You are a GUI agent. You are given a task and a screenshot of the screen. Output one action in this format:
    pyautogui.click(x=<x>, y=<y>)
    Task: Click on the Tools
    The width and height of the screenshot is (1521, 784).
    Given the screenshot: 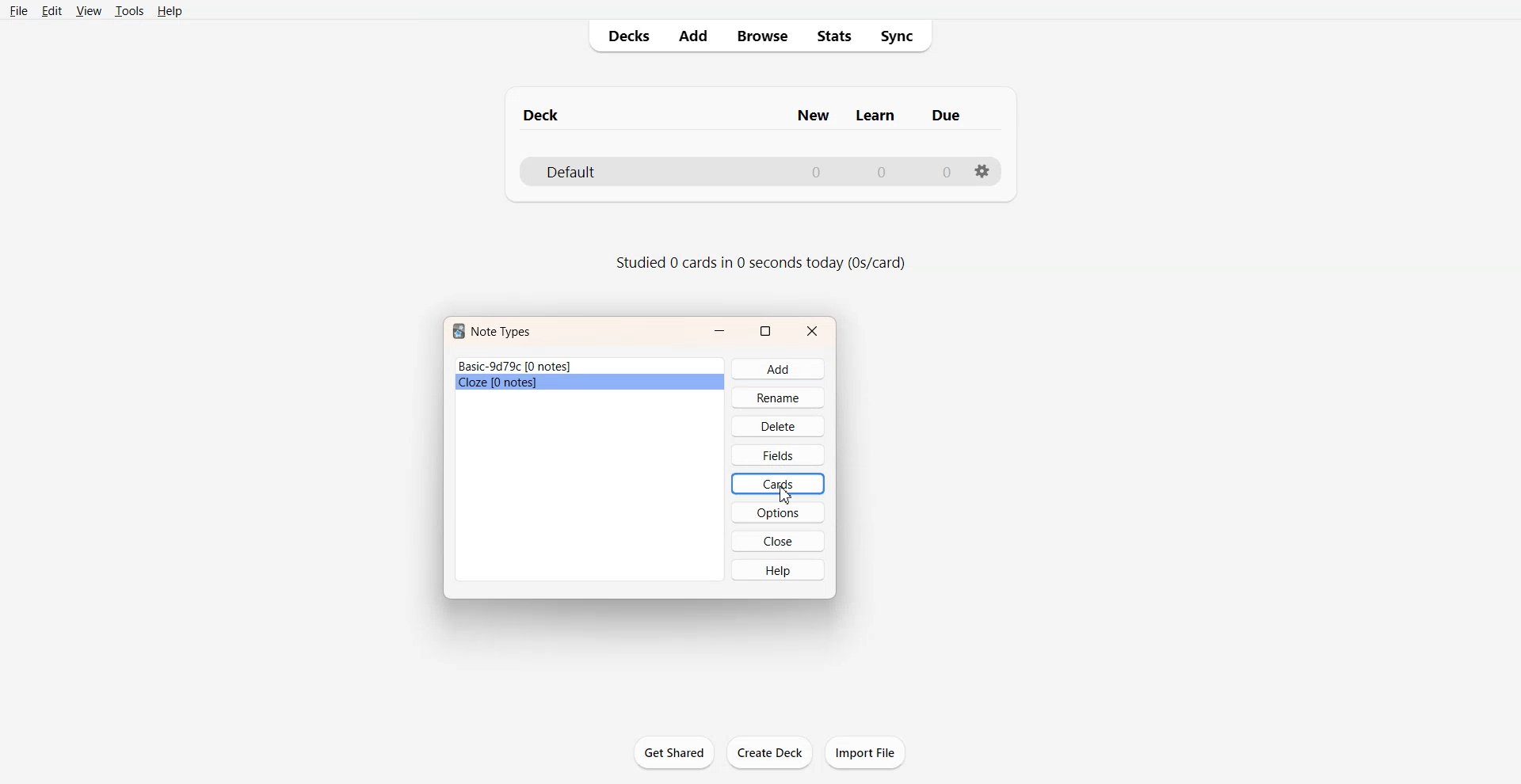 What is the action you would take?
    pyautogui.click(x=128, y=11)
    